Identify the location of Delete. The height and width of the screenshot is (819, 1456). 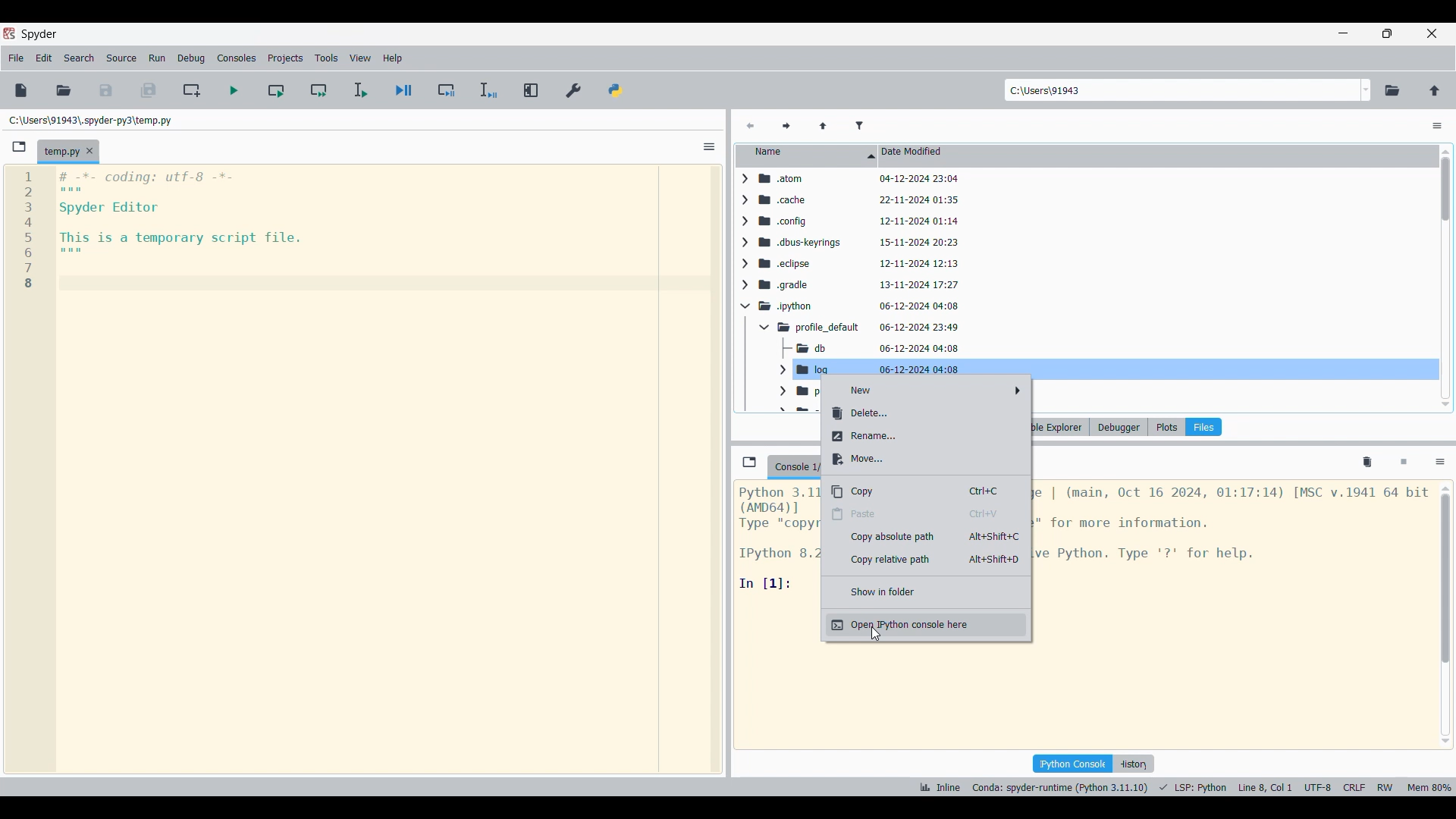
(926, 413).